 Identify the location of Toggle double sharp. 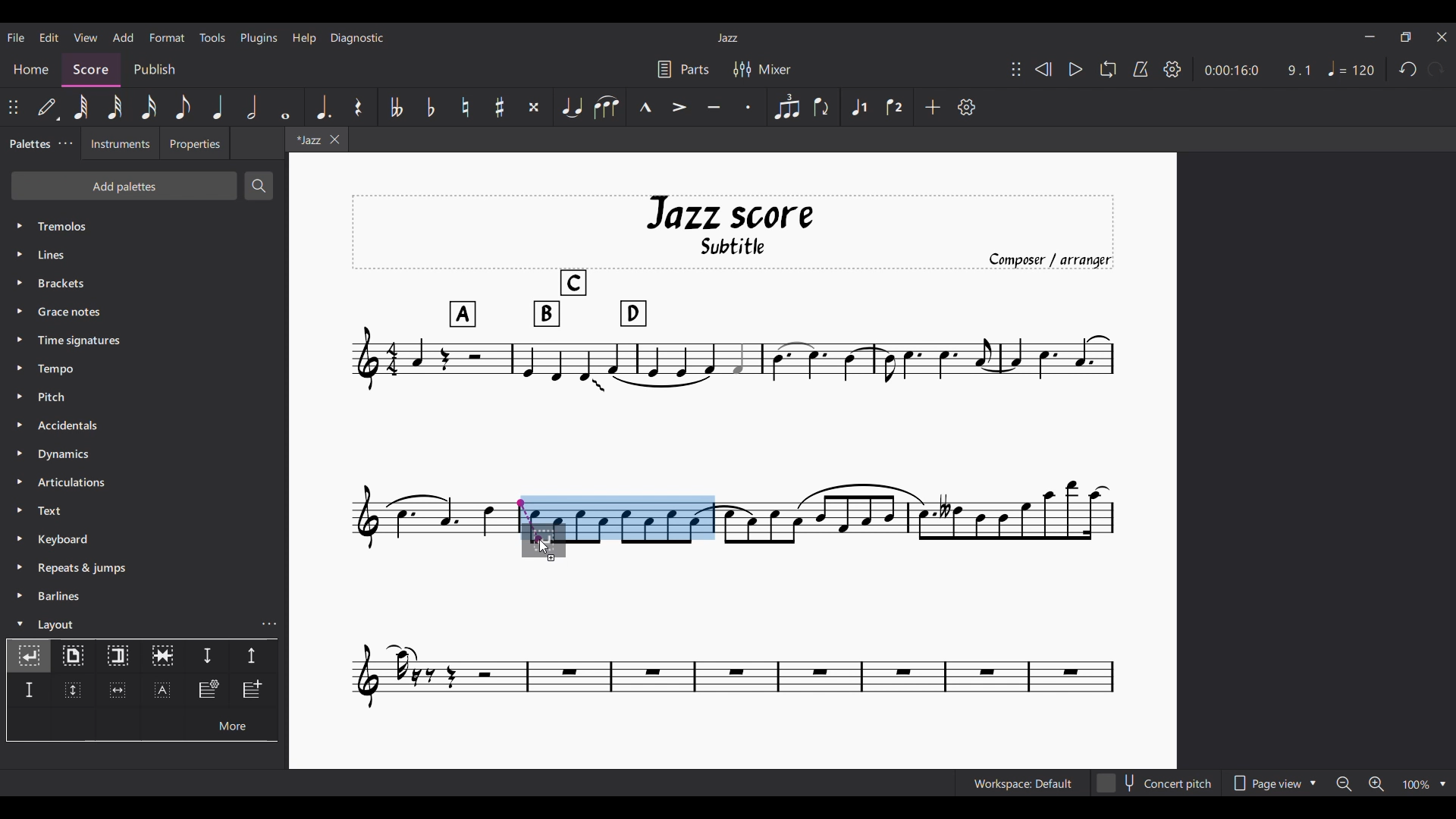
(535, 107).